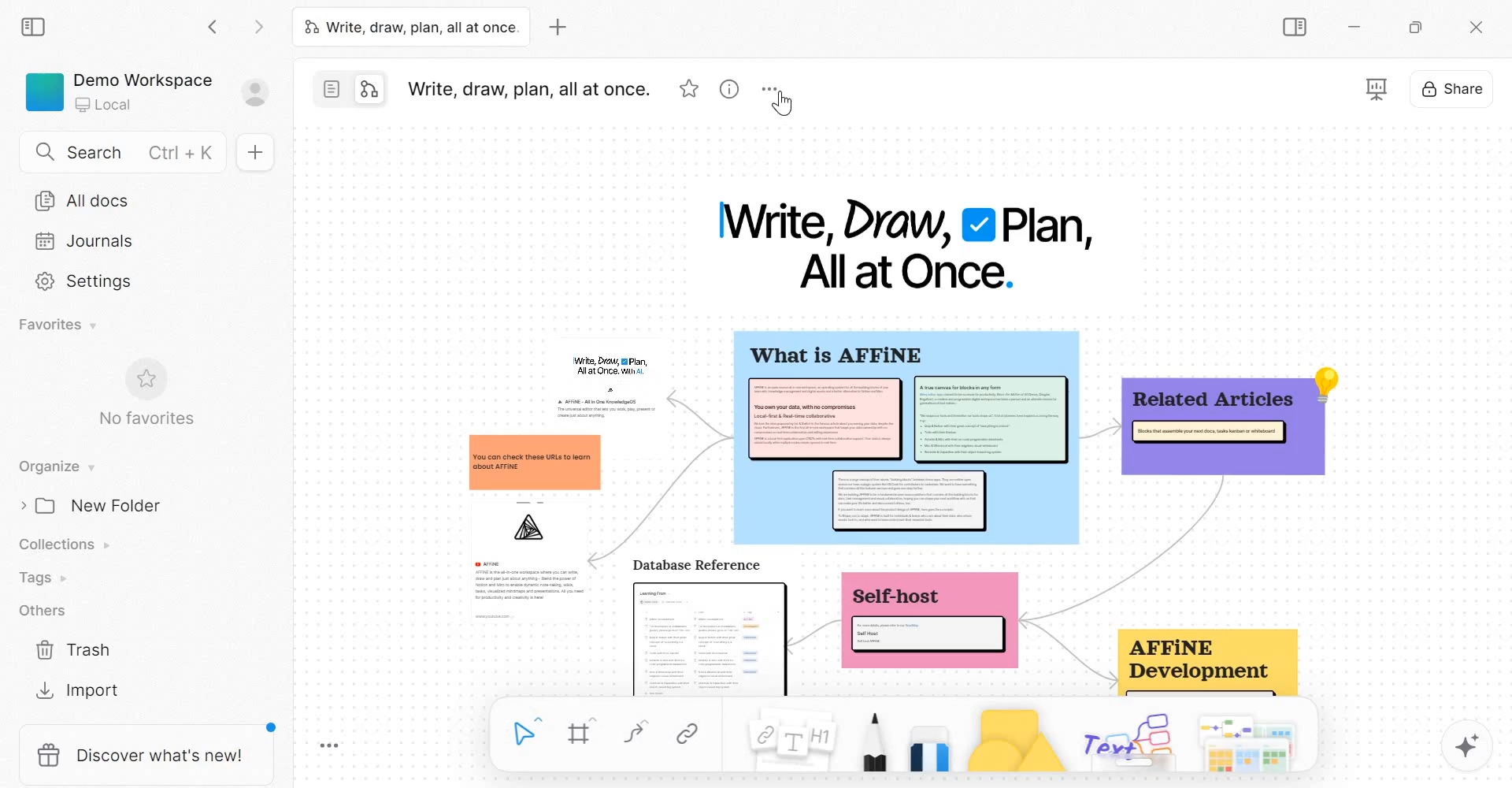 This screenshot has width=1512, height=788. What do you see at coordinates (78, 689) in the screenshot?
I see `Import` at bounding box center [78, 689].